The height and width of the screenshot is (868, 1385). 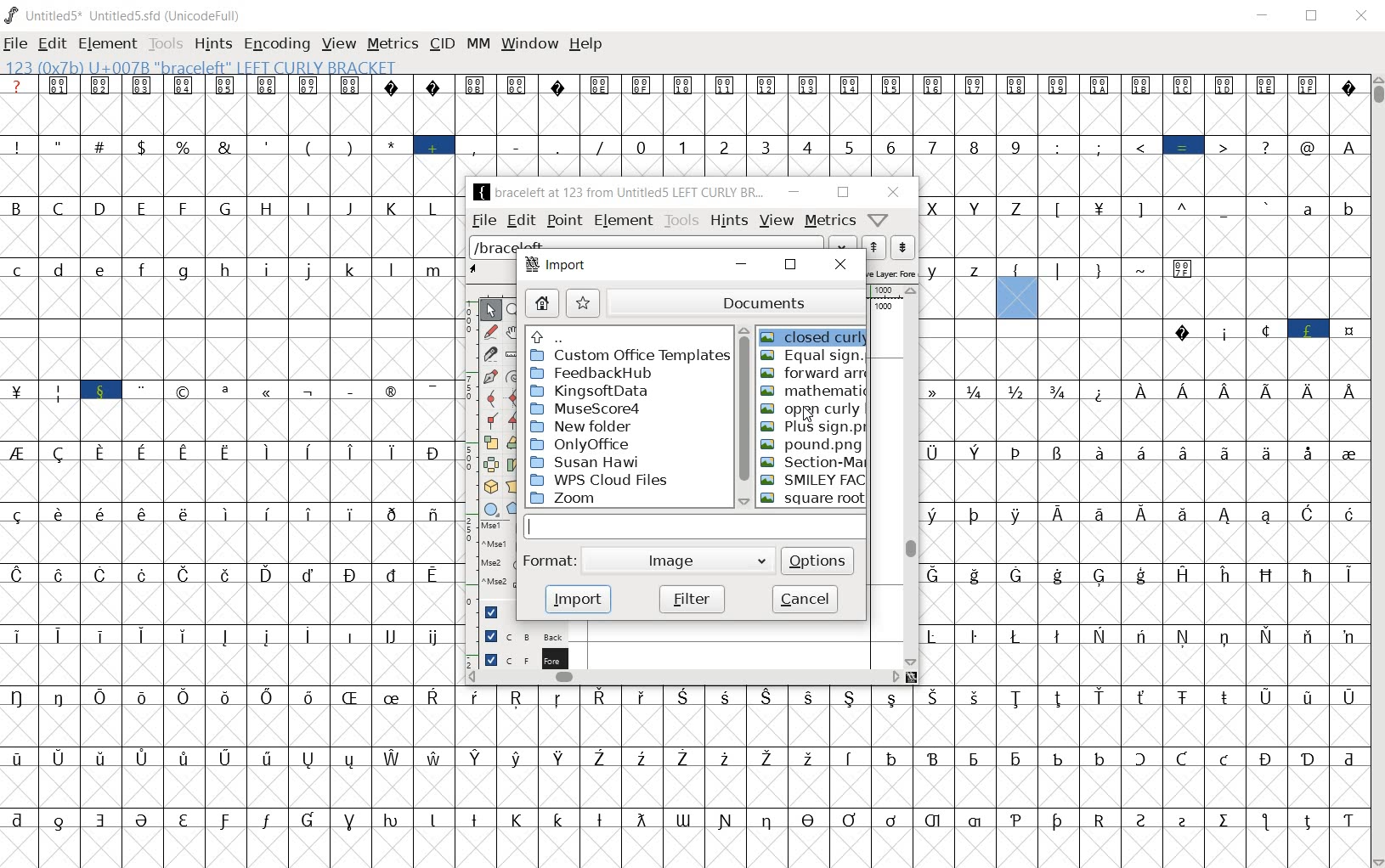 What do you see at coordinates (893, 273) in the screenshot?
I see `active layer: fore` at bounding box center [893, 273].